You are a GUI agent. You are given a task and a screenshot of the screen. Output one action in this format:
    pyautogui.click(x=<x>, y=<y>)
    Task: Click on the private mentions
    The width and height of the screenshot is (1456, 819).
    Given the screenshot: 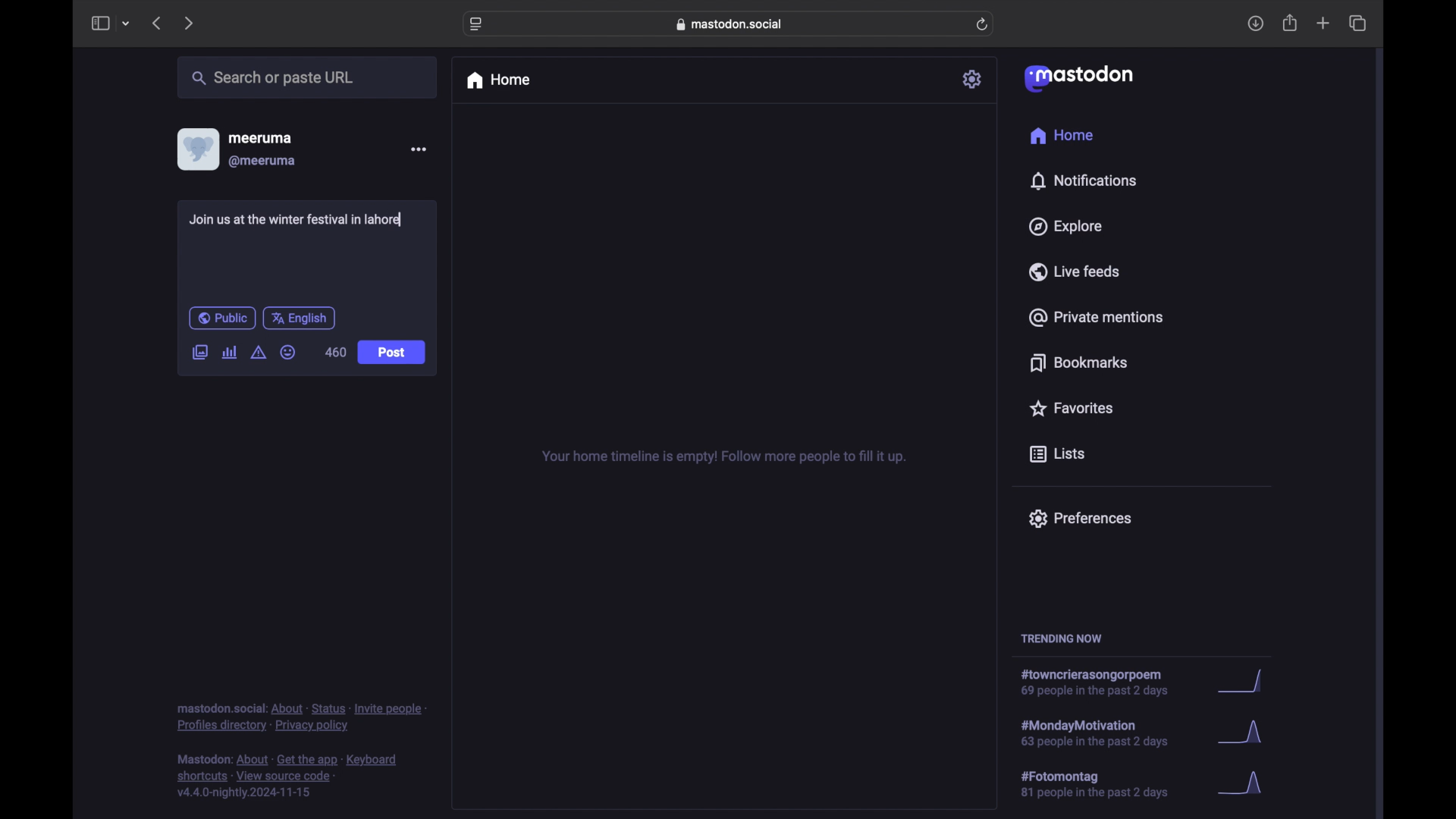 What is the action you would take?
    pyautogui.click(x=1097, y=317)
    